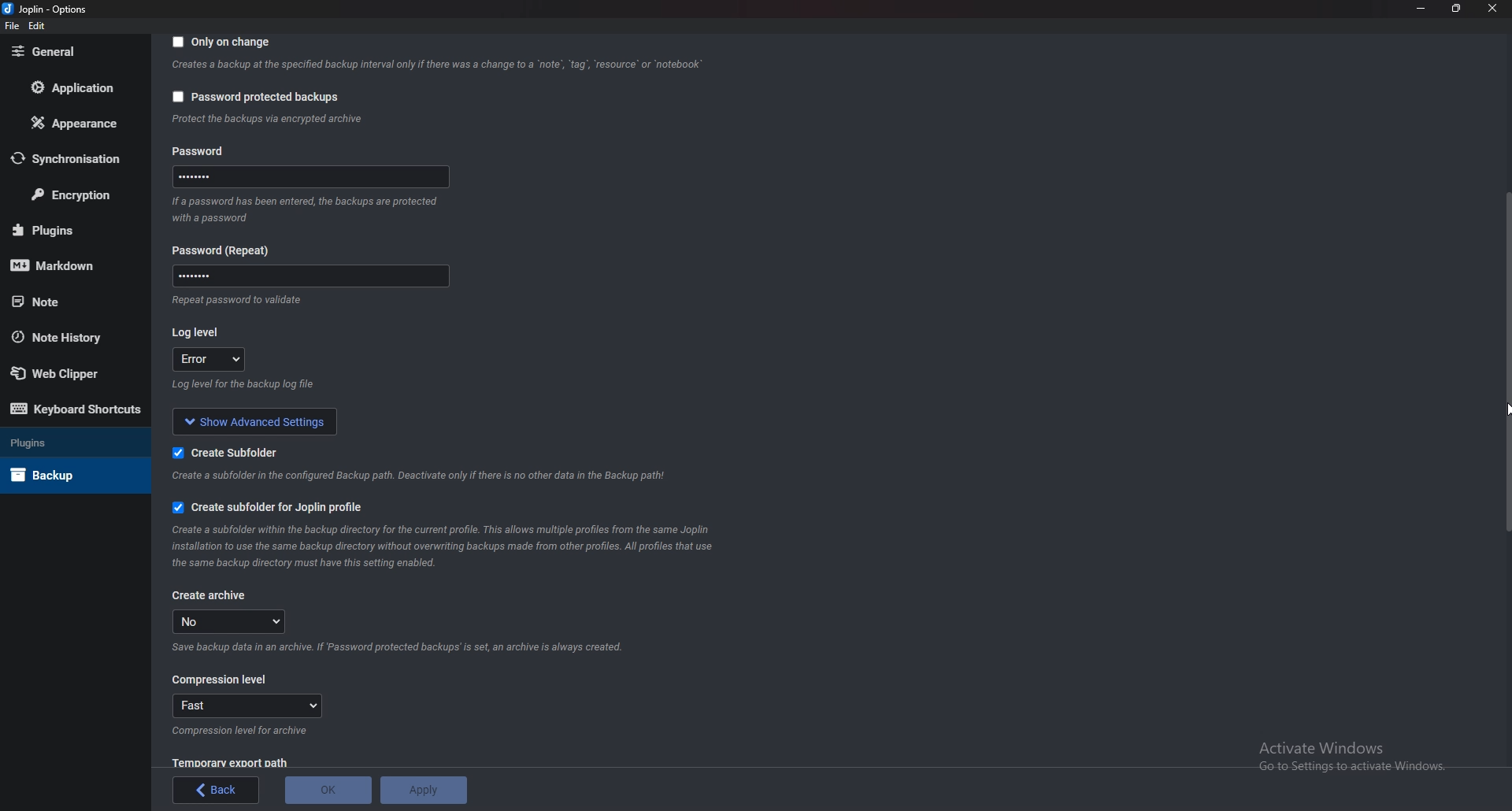 This screenshot has height=811, width=1512. What do you see at coordinates (1503, 413) in the screenshot?
I see `cursor` at bounding box center [1503, 413].